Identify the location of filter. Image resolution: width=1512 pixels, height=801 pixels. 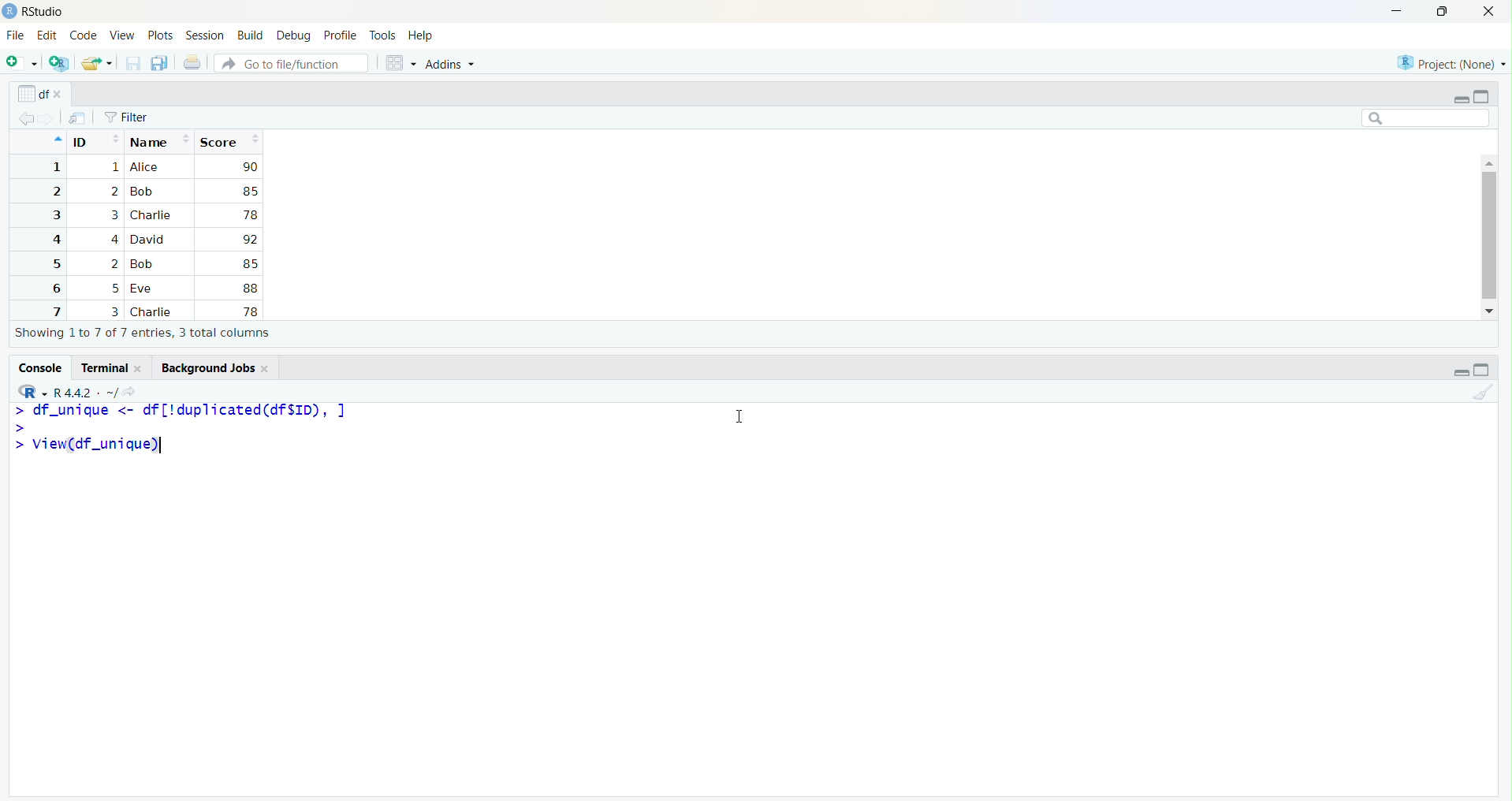
(127, 117).